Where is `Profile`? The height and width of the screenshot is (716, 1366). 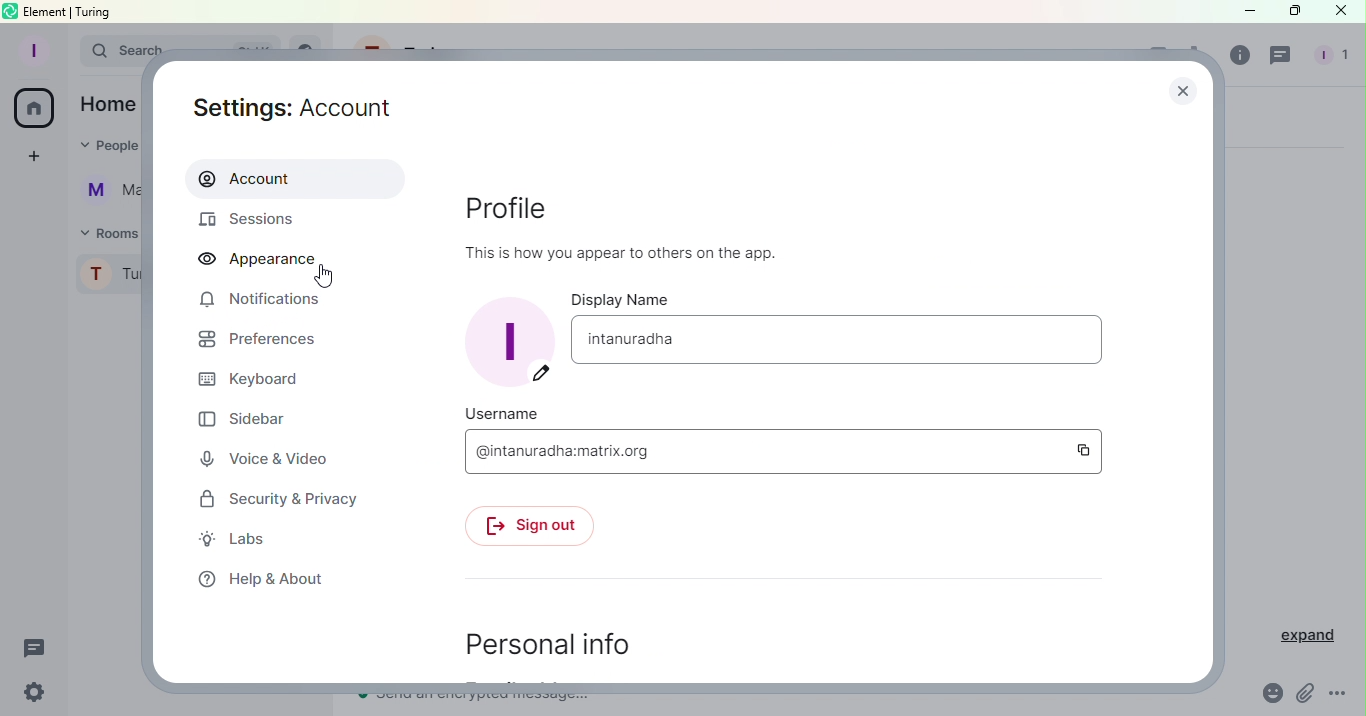 Profile is located at coordinates (648, 222).